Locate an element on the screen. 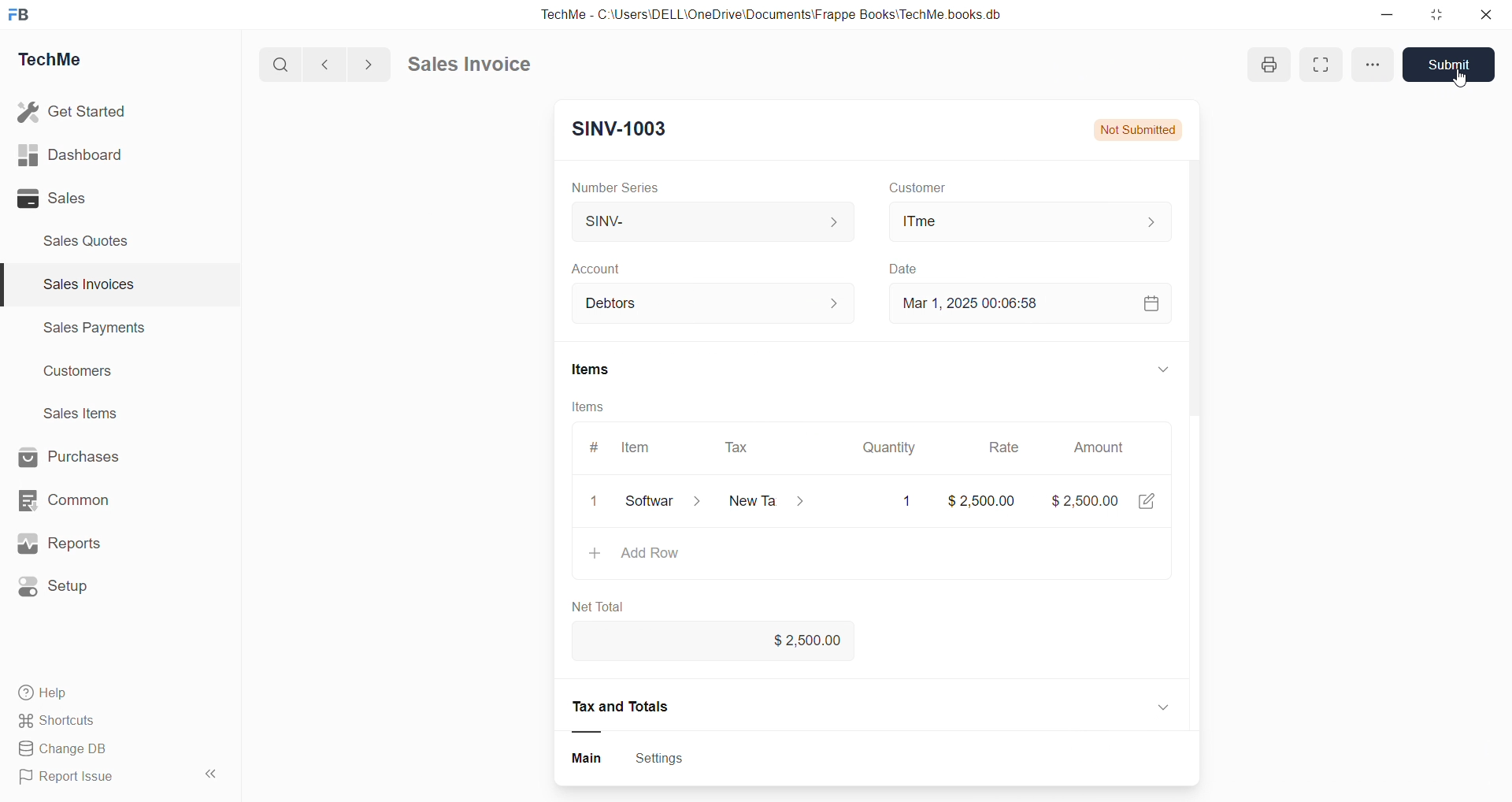 This screenshot has height=802, width=1512.  Shortcuts is located at coordinates (63, 722).